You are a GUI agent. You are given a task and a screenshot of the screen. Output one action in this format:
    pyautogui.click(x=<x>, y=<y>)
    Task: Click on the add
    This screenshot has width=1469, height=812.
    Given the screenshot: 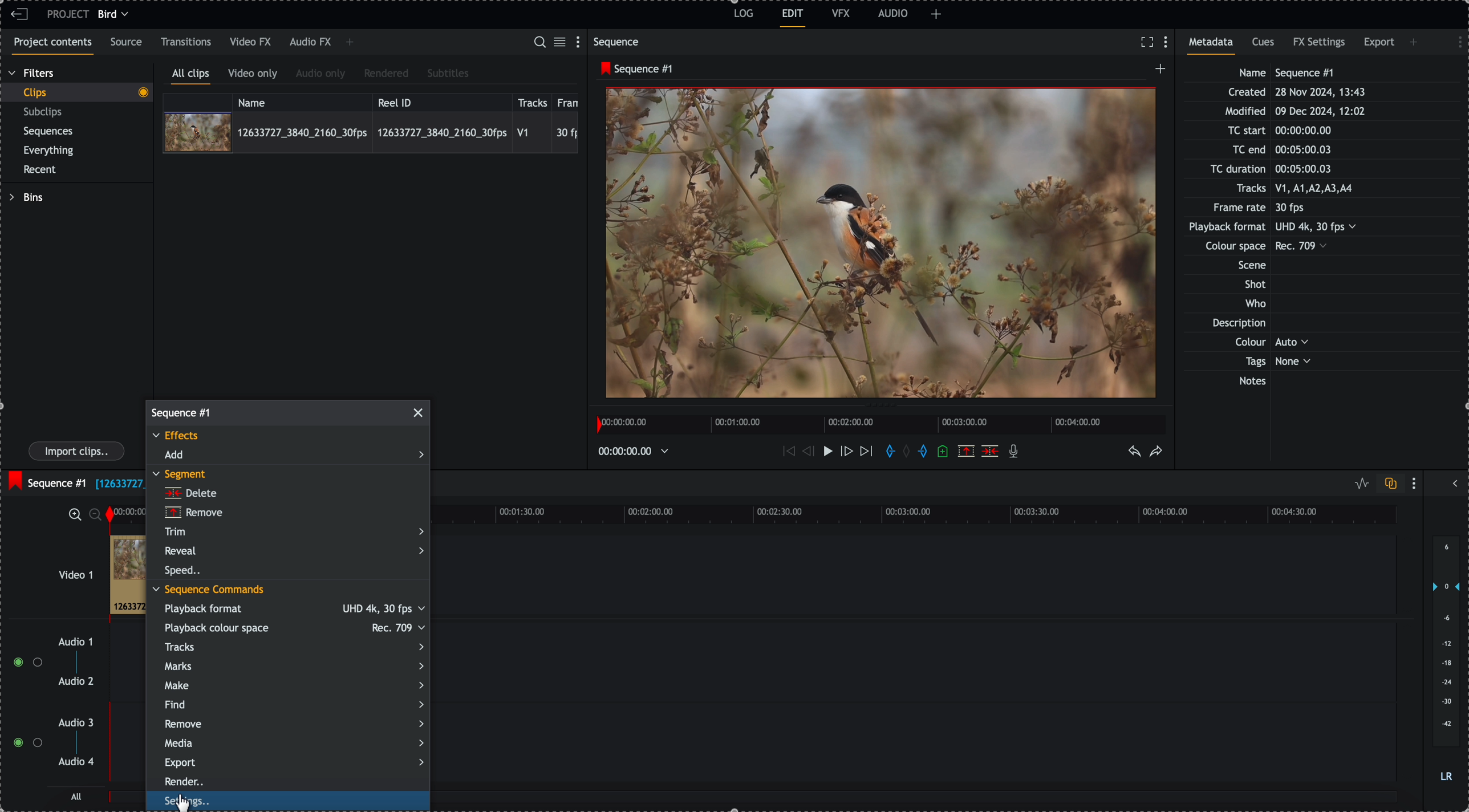 What is the action you would take?
    pyautogui.click(x=293, y=455)
    